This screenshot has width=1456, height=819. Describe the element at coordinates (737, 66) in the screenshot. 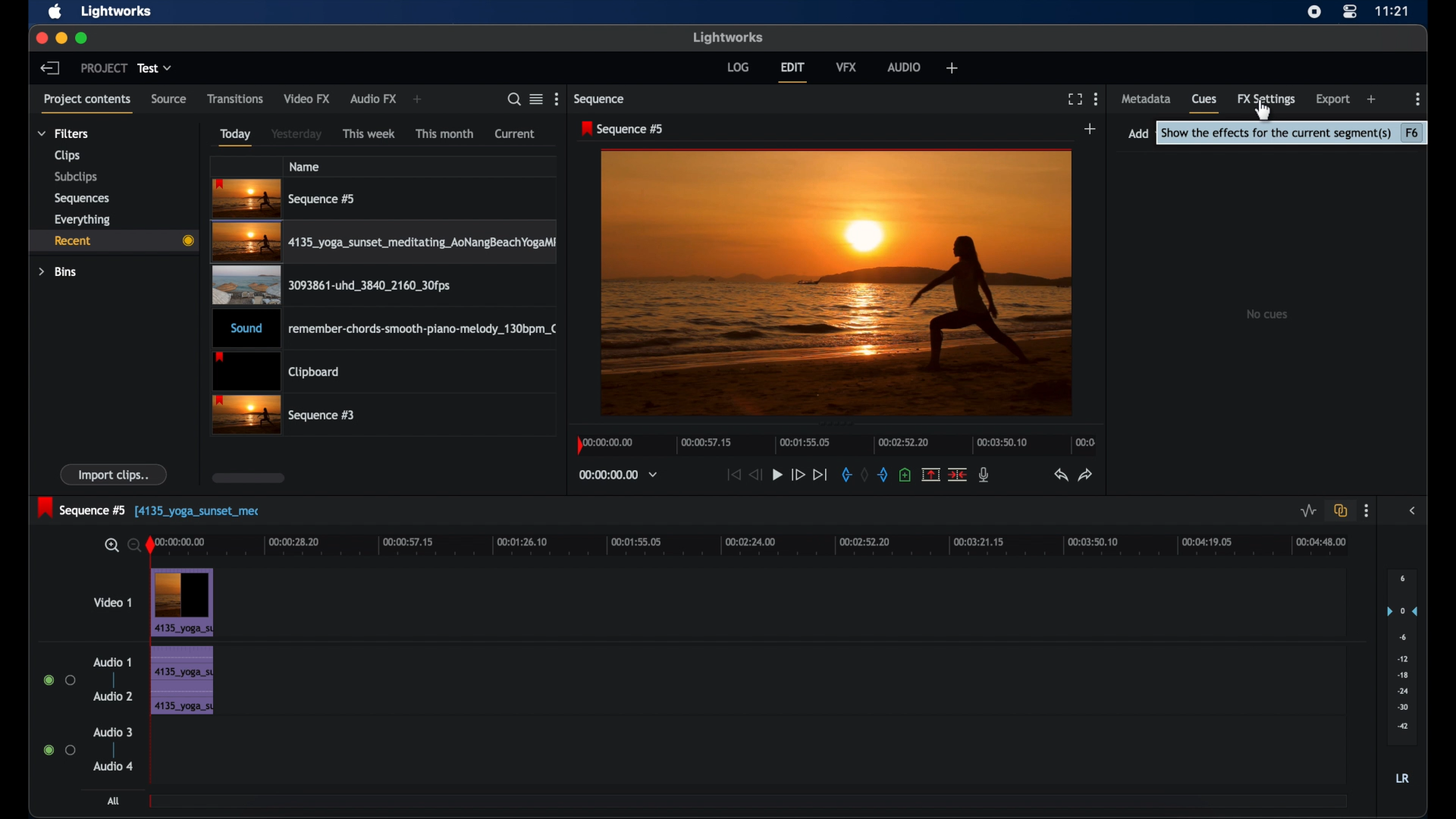

I see `log` at that location.